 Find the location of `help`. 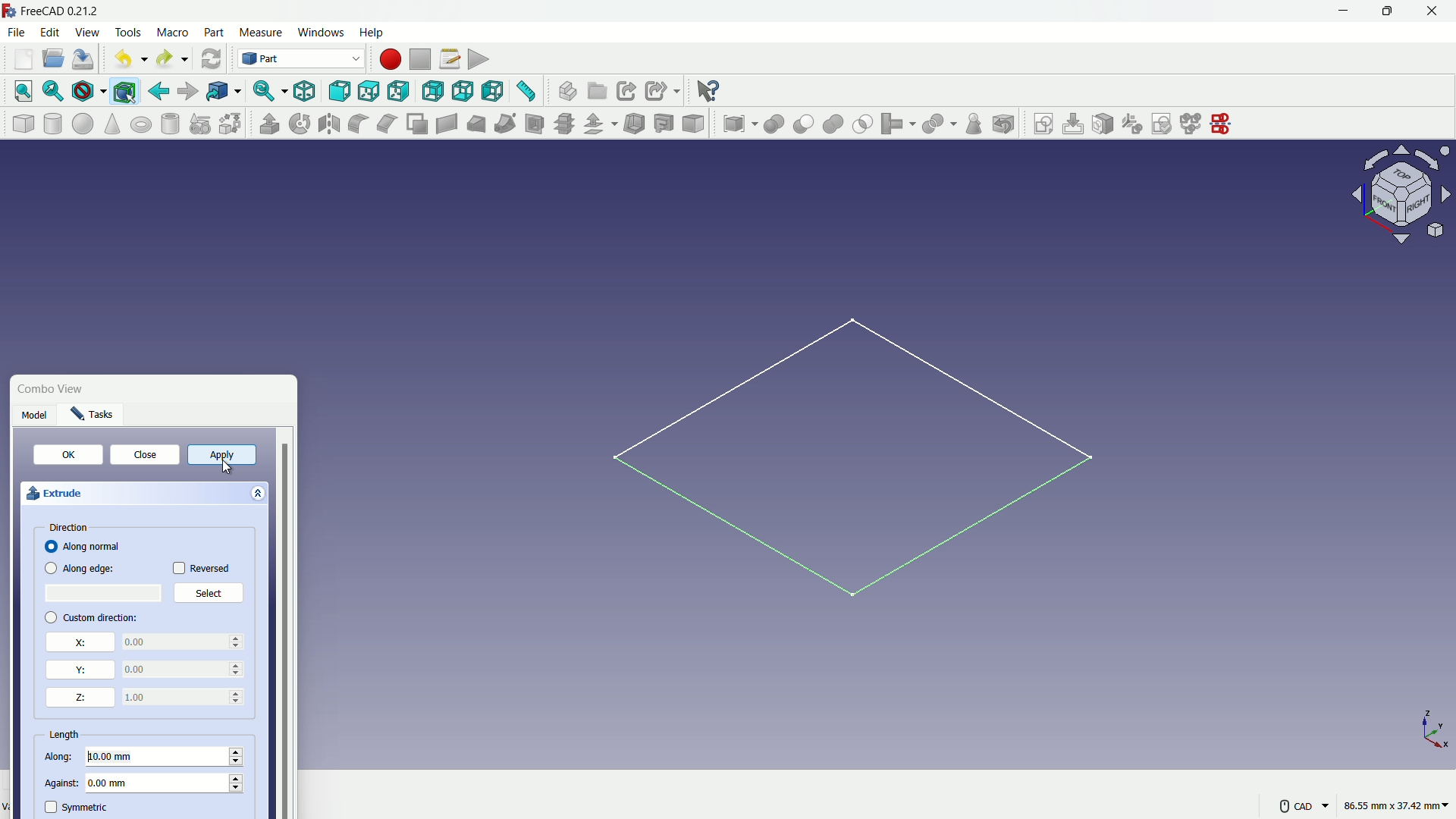

help is located at coordinates (373, 32).